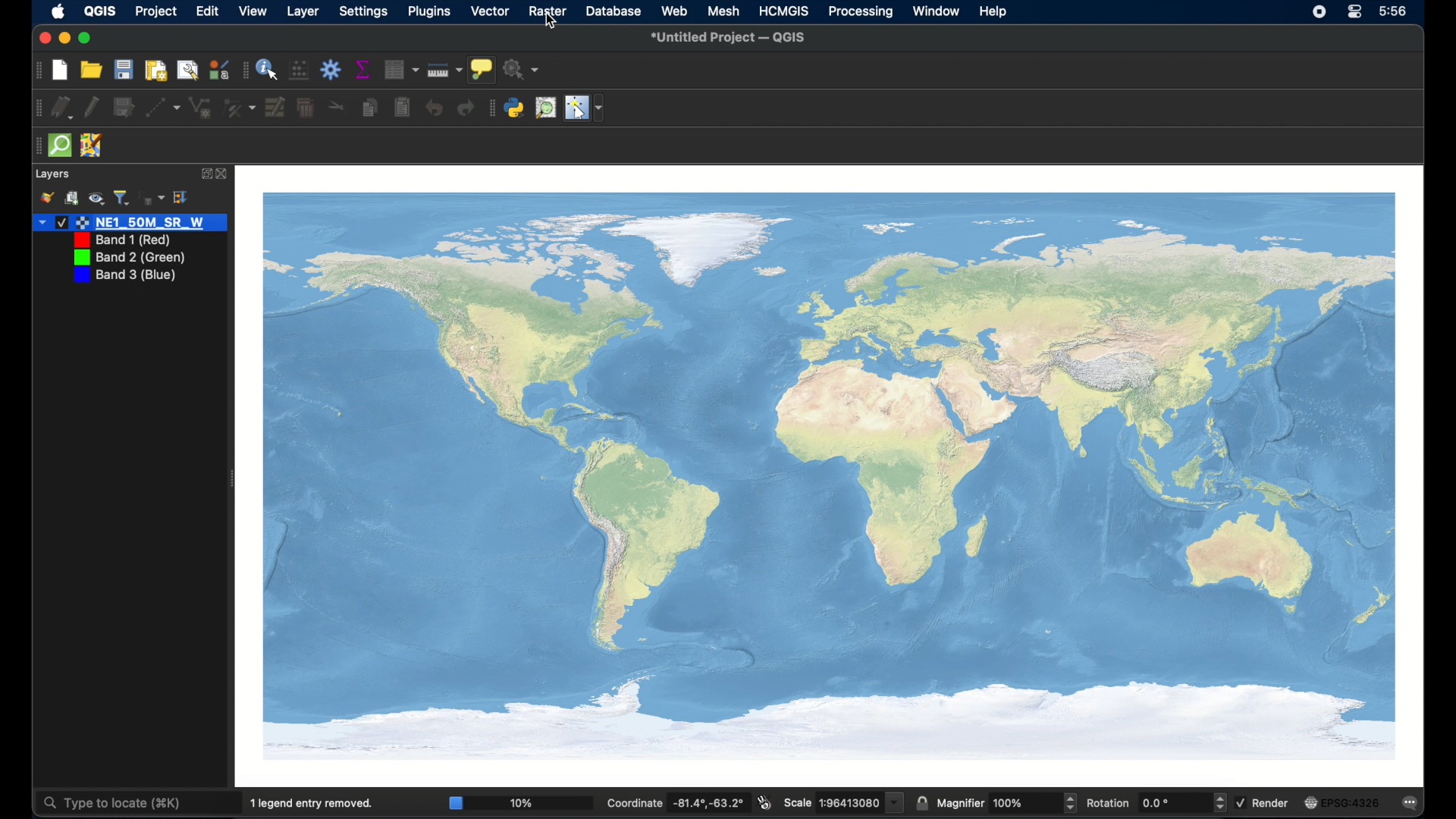 The height and width of the screenshot is (819, 1456). Describe the element at coordinates (303, 11) in the screenshot. I see `layer` at that location.